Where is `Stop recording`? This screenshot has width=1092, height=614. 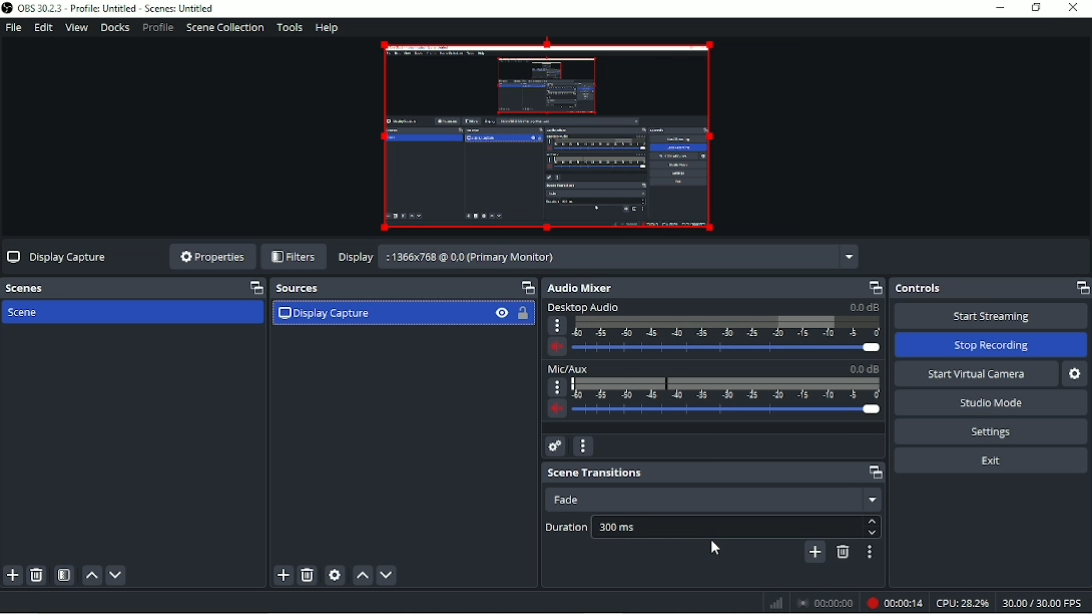
Stop recording is located at coordinates (995, 344).